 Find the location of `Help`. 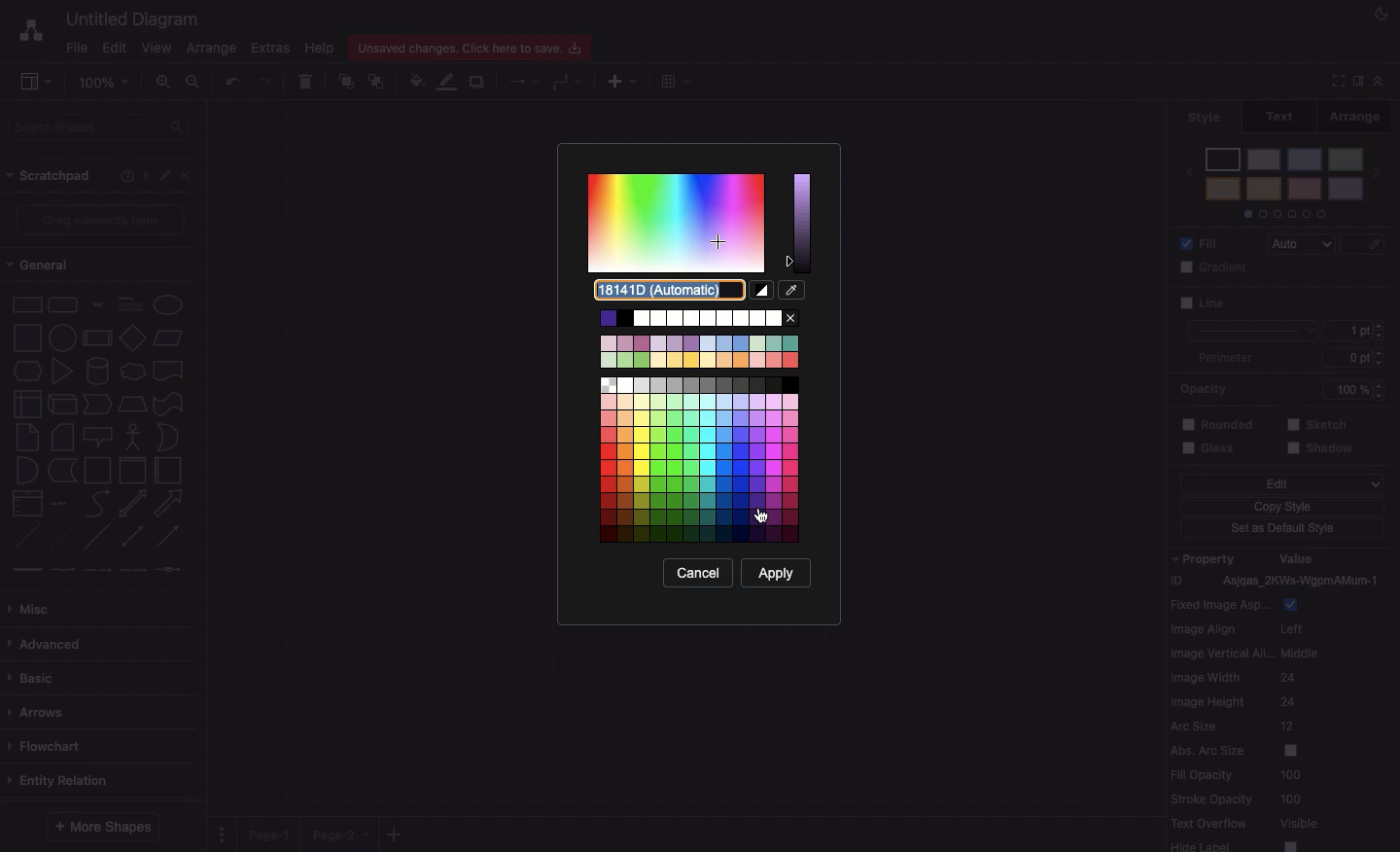

Help is located at coordinates (122, 177).